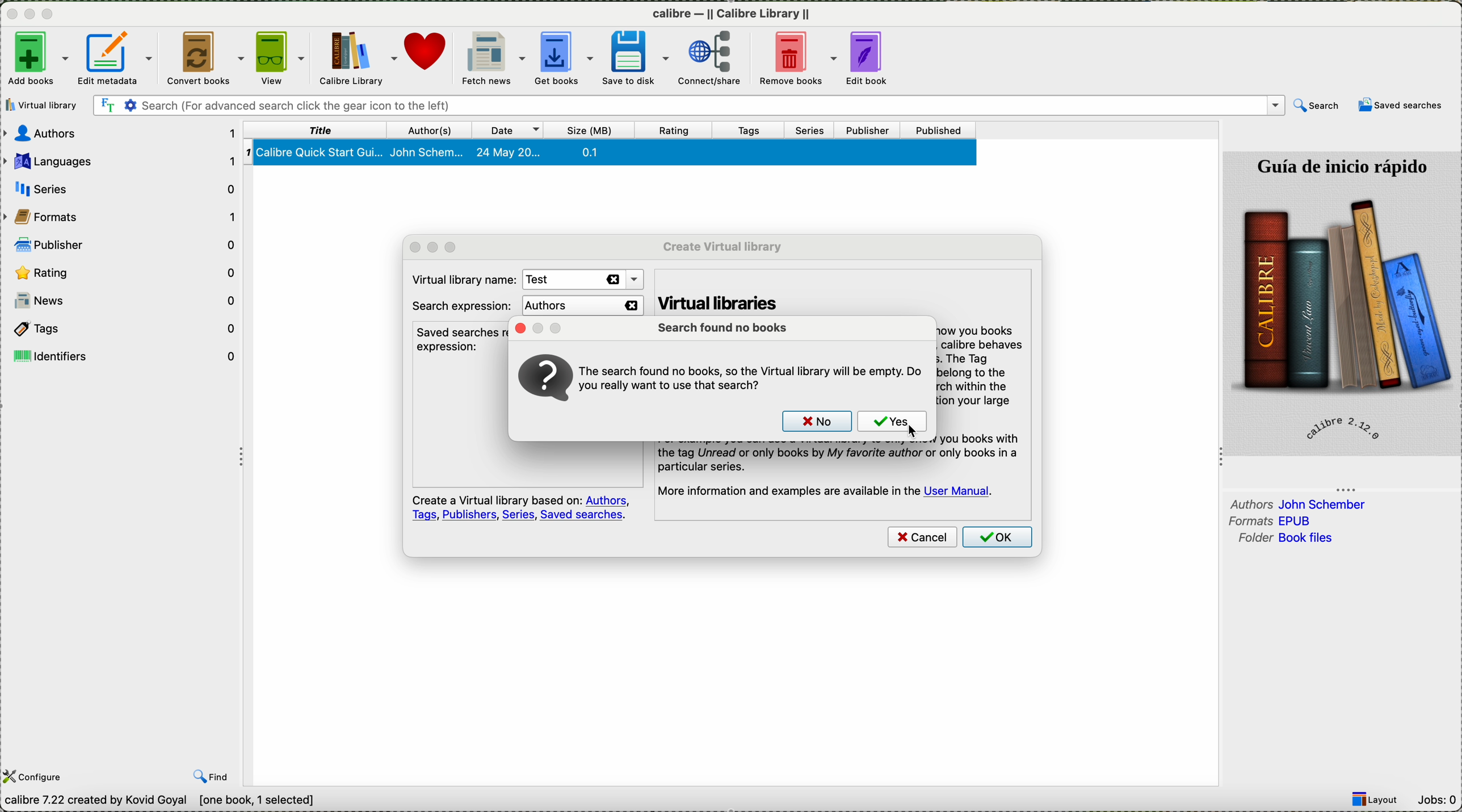 This screenshot has width=1462, height=812. What do you see at coordinates (818, 422) in the screenshot?
I see `no button` at bounding box center [818, 422].